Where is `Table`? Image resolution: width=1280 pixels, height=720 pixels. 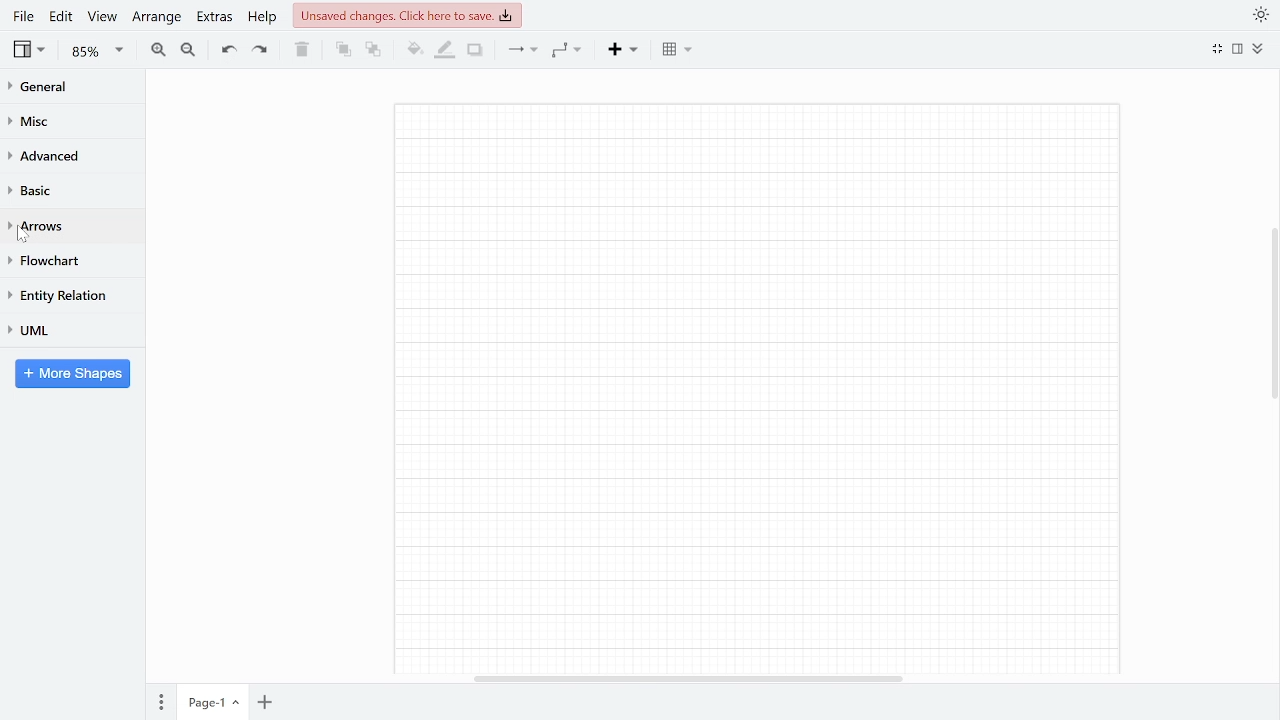
Table is located at coordinates (677, 51).